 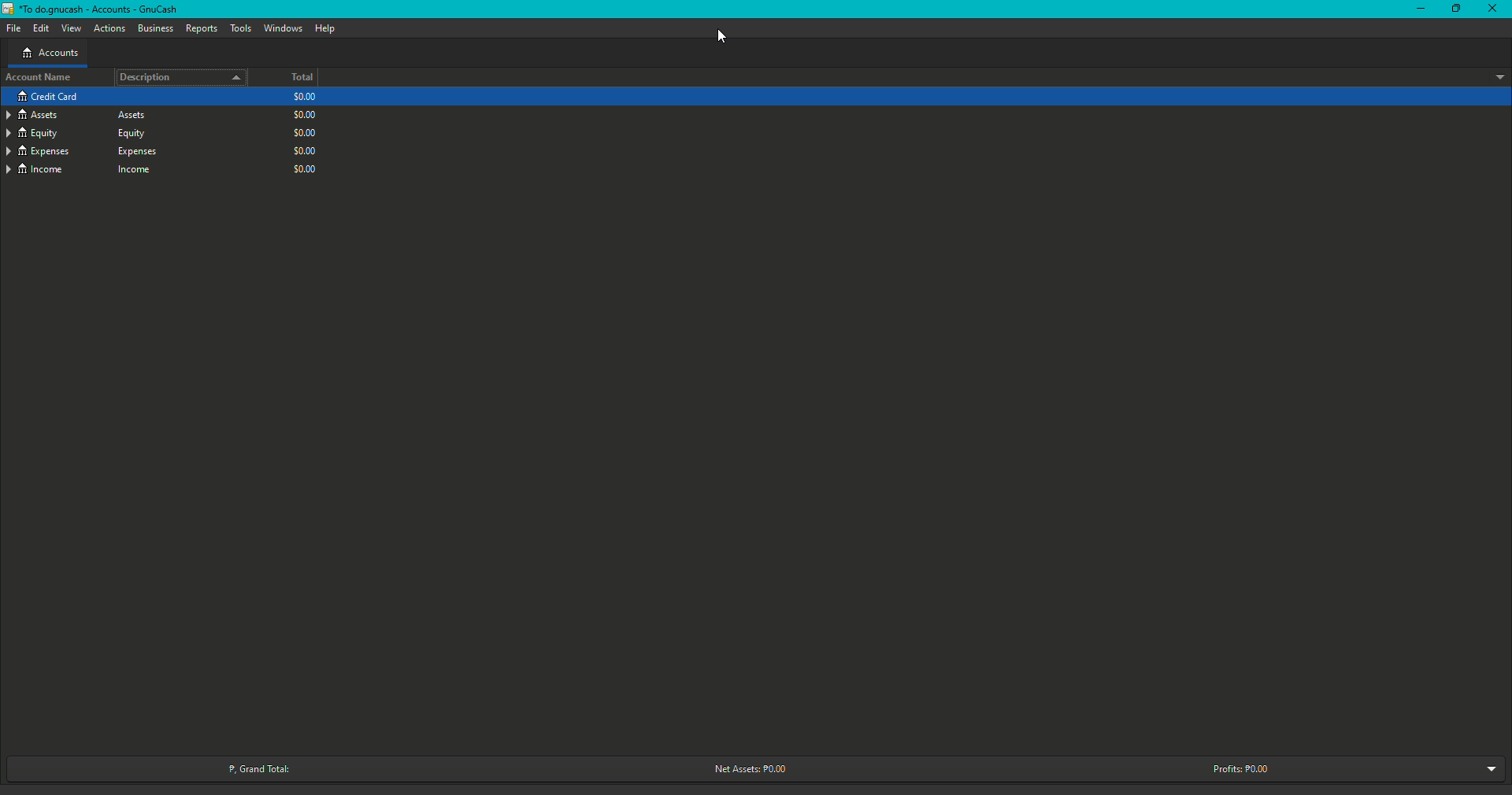 I want to click on Actions, so click(x=108, y=28).